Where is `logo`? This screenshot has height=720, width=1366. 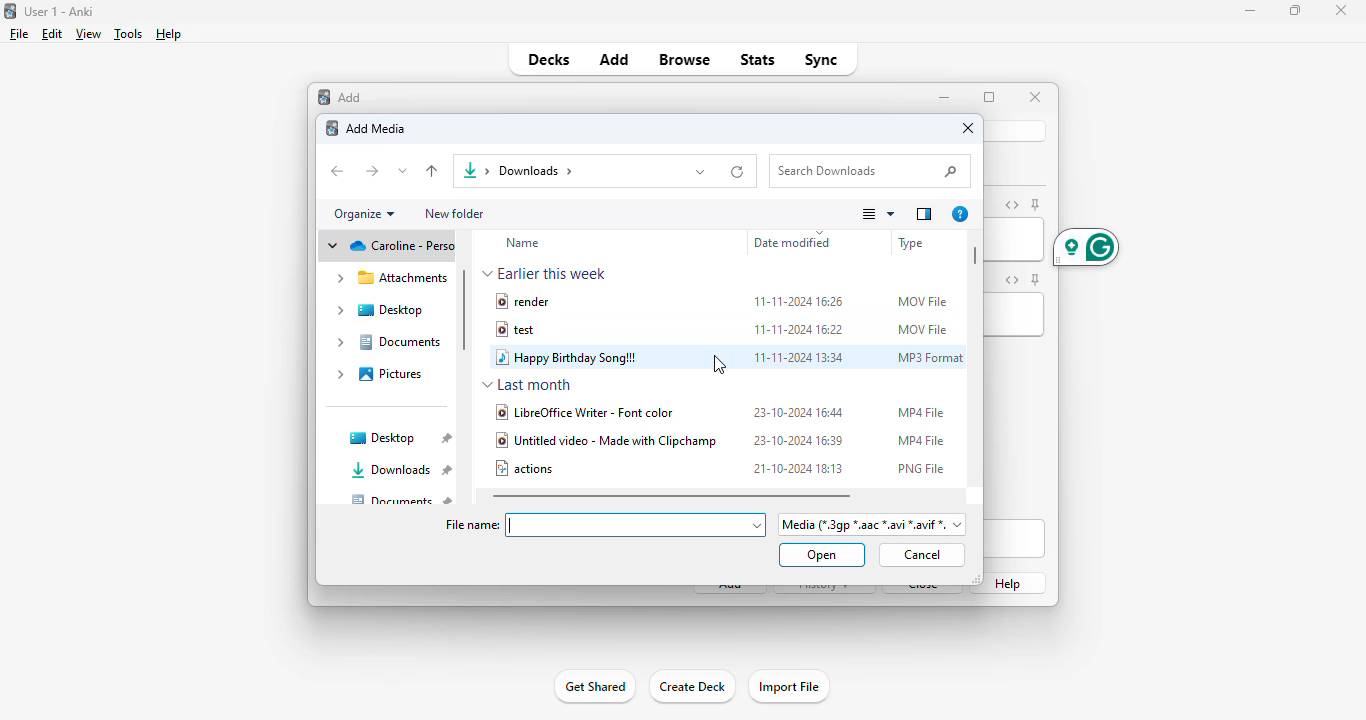
logo is located at coordinates (333, 128).